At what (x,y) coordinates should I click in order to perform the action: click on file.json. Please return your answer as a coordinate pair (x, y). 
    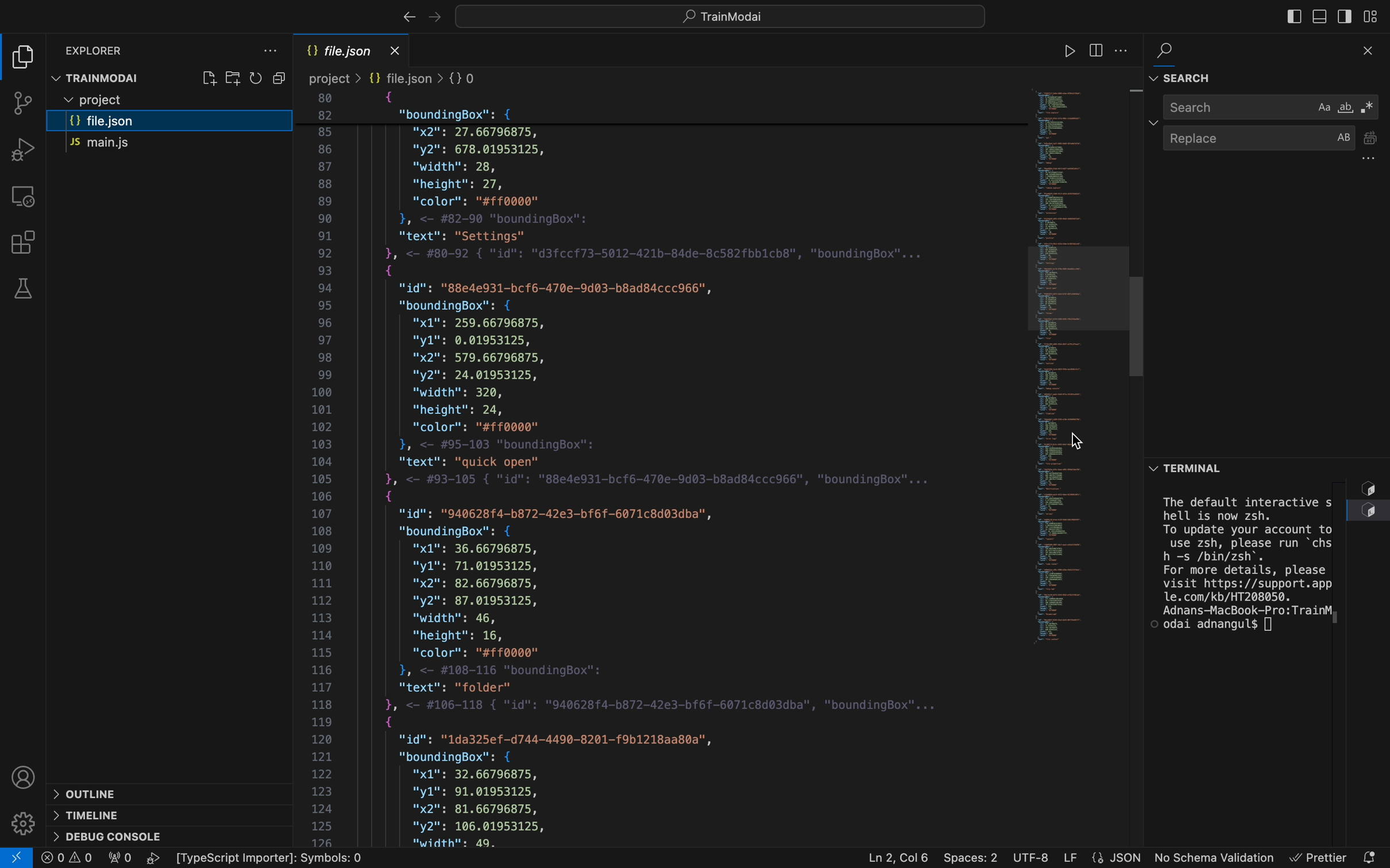
    Looking at the image, I should click on (167, 123).